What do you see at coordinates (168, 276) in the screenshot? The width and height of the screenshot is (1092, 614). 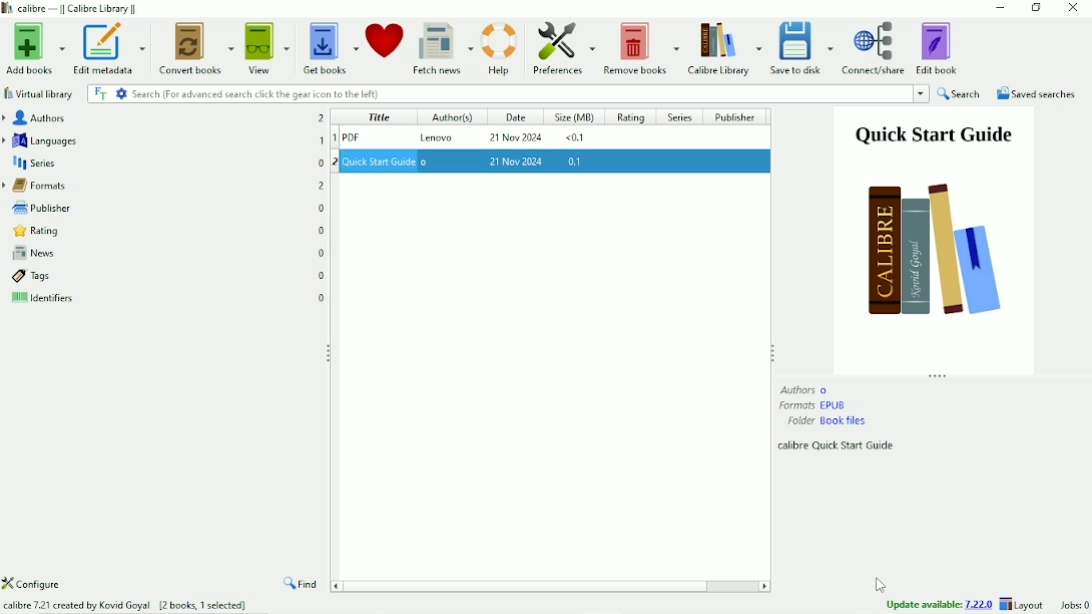 I see `Tags` at bounding box center [168, 276].